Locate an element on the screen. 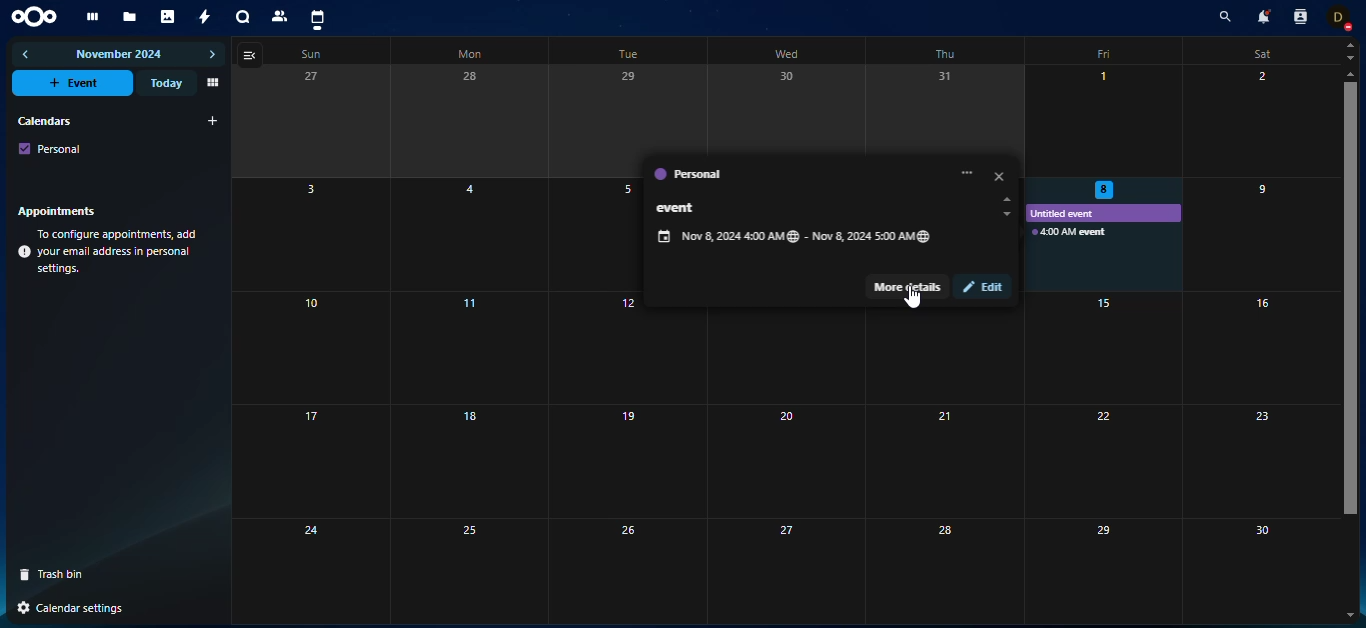 The height and width of the screenshot is (628, 1366). view is located at coordinates (252, 55).